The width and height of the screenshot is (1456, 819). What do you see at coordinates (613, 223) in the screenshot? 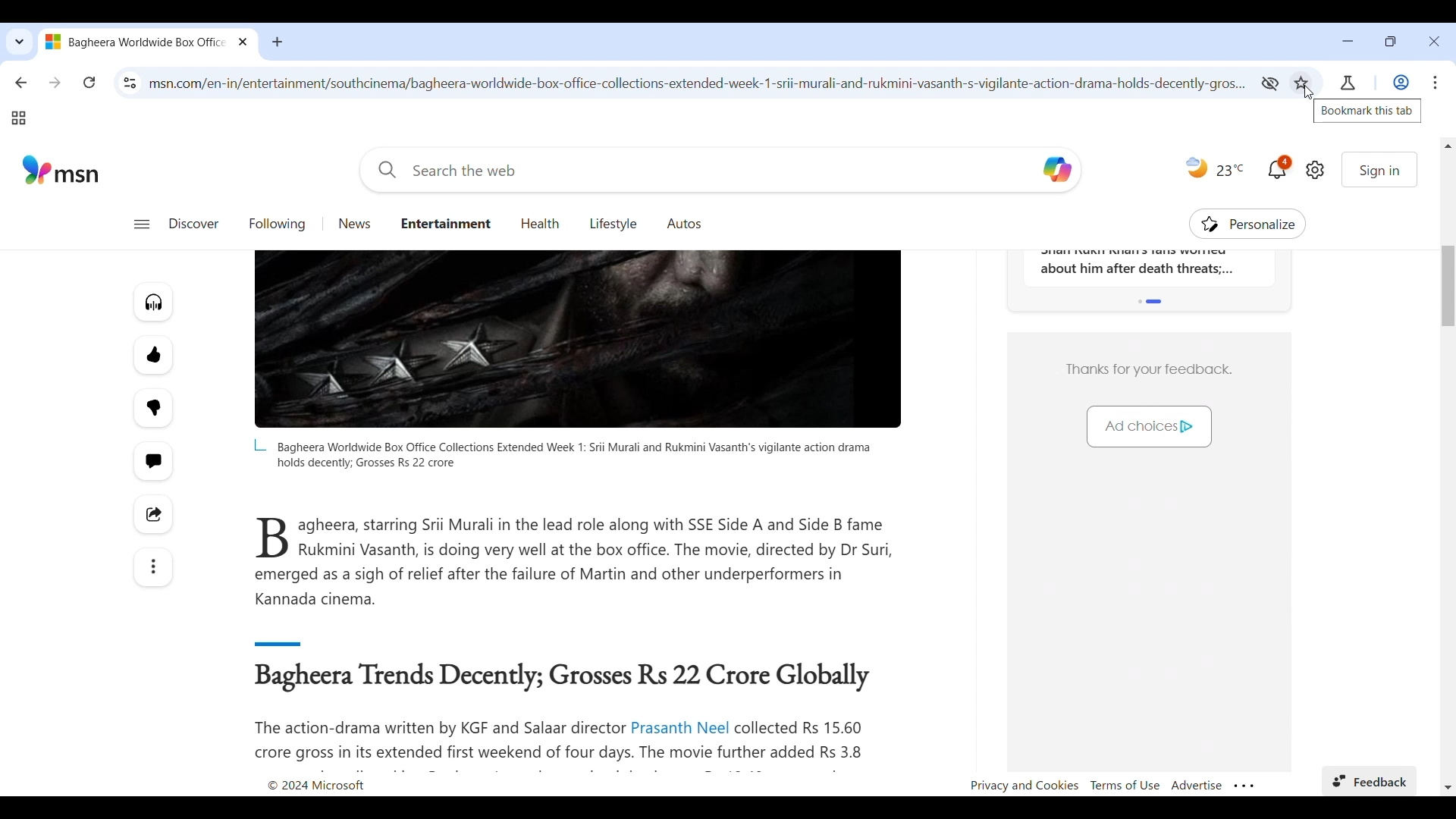
I see `Go to lifestyle page` at bounding box center [613, 223].